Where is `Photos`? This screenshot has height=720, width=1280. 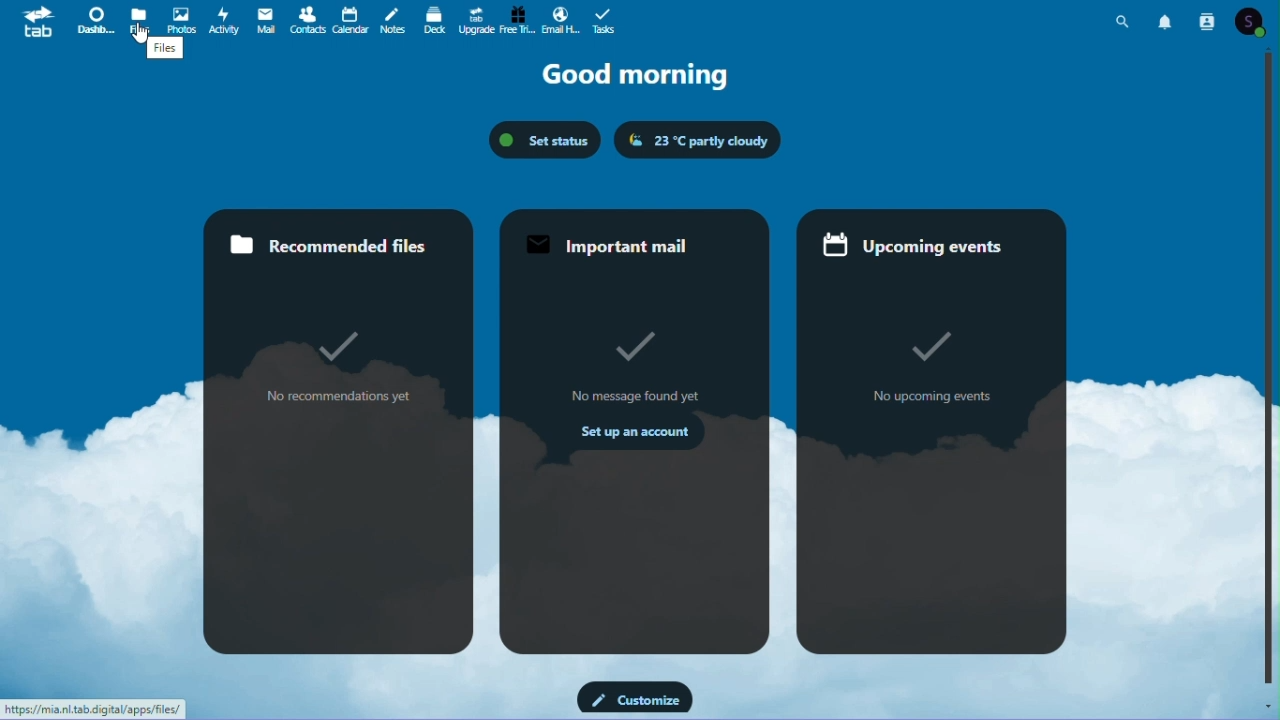 Photos is located at coordinates (181, 20).